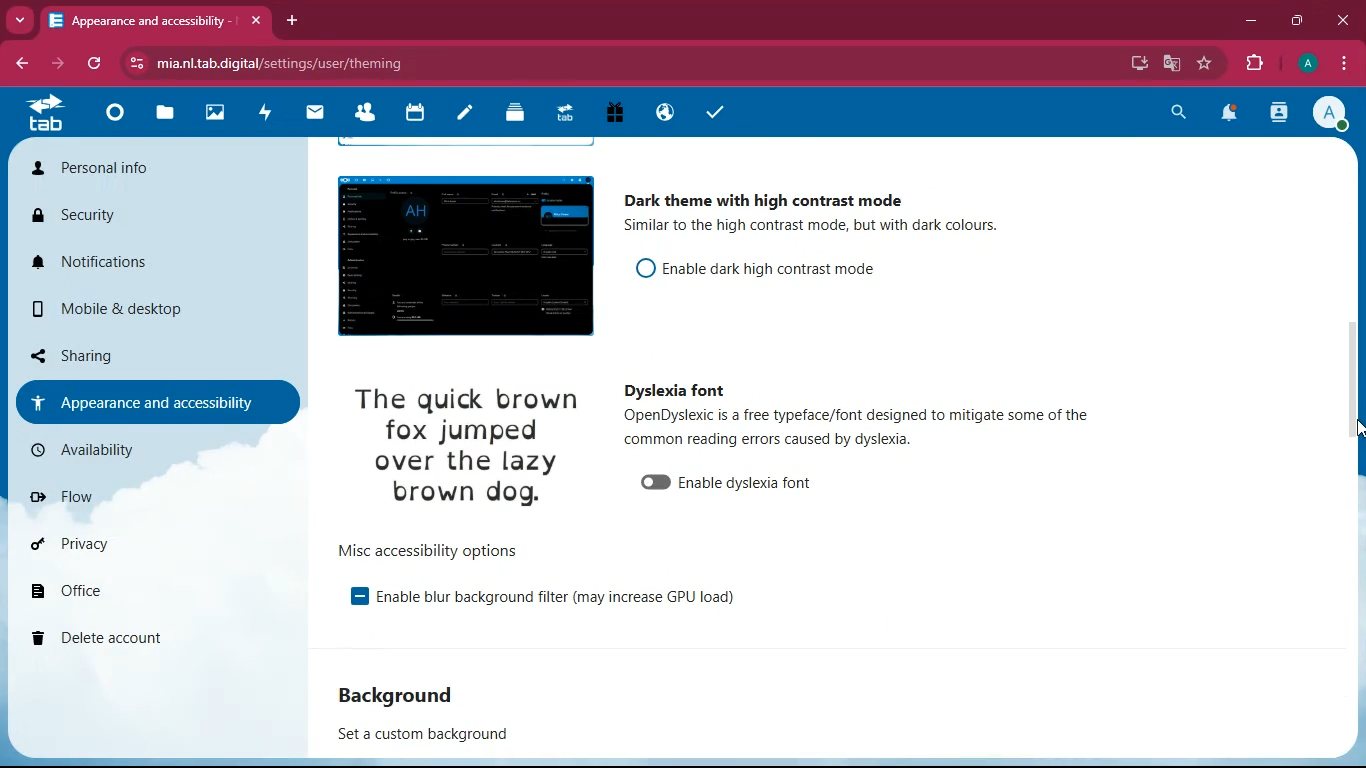  I want to click on extensions, so click(1255, 64).